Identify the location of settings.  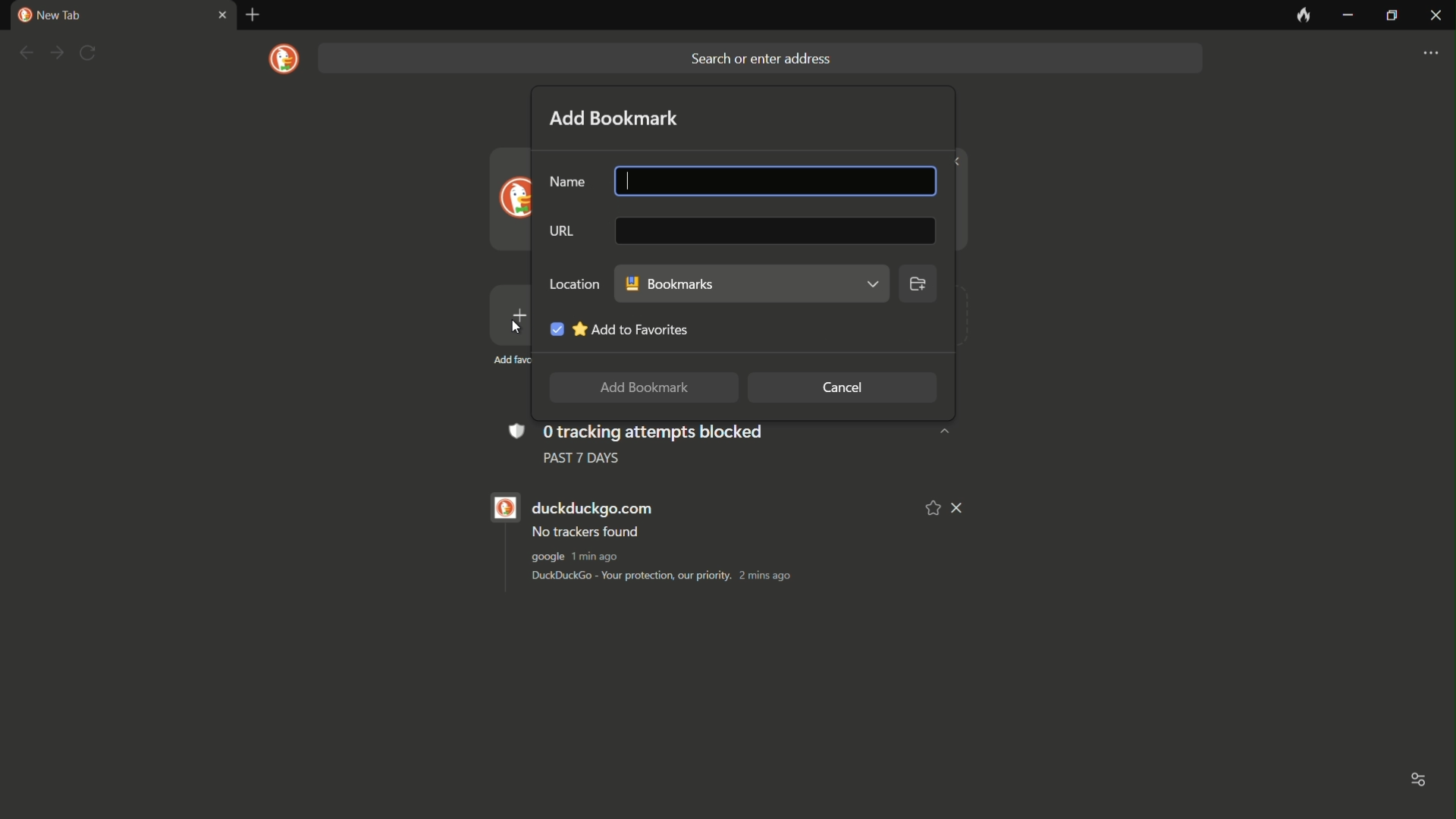
(1430, 54).